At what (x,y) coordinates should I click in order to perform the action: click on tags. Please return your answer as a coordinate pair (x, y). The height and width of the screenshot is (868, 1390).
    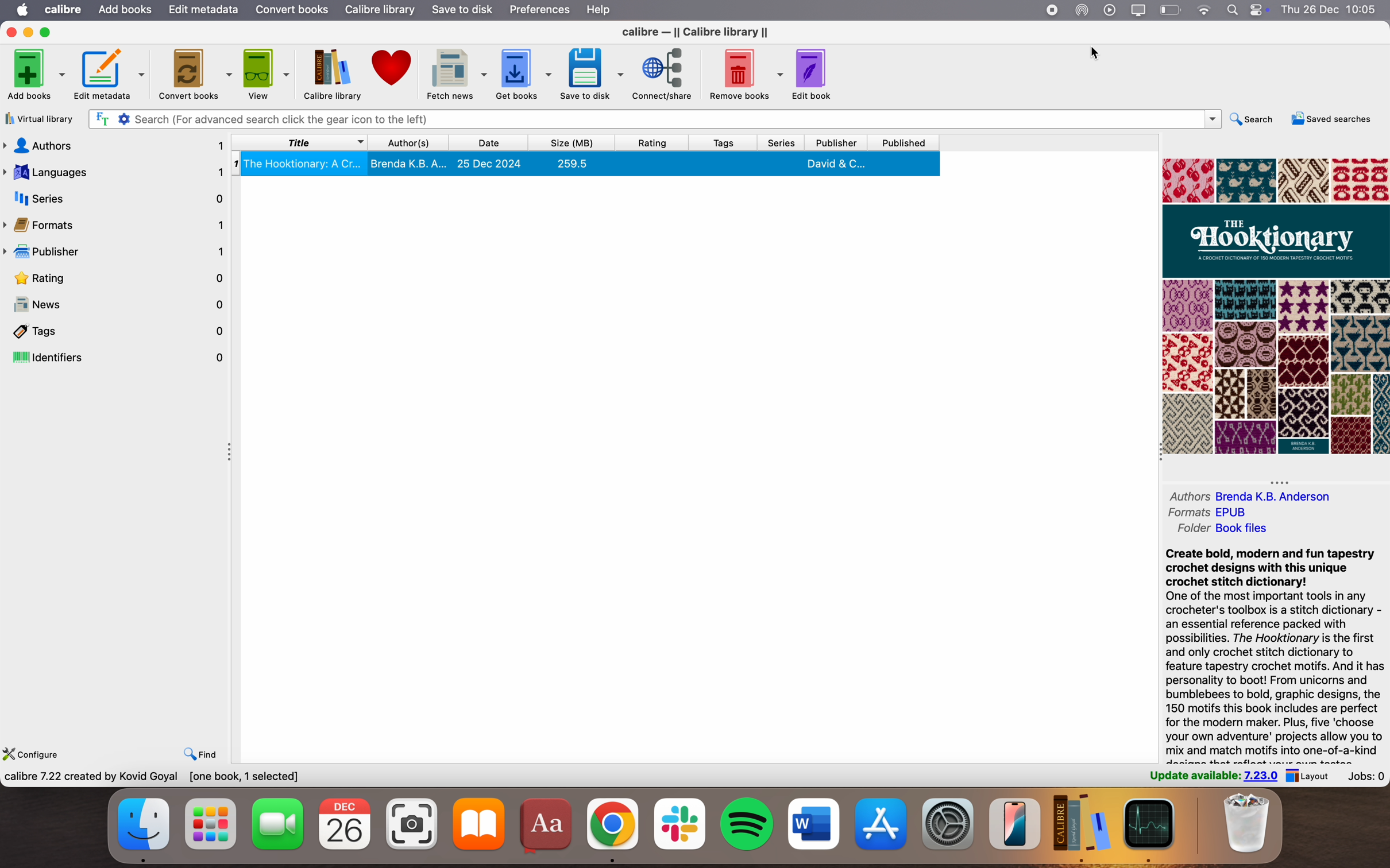
    Looking at the image, I should click on (725, 142).